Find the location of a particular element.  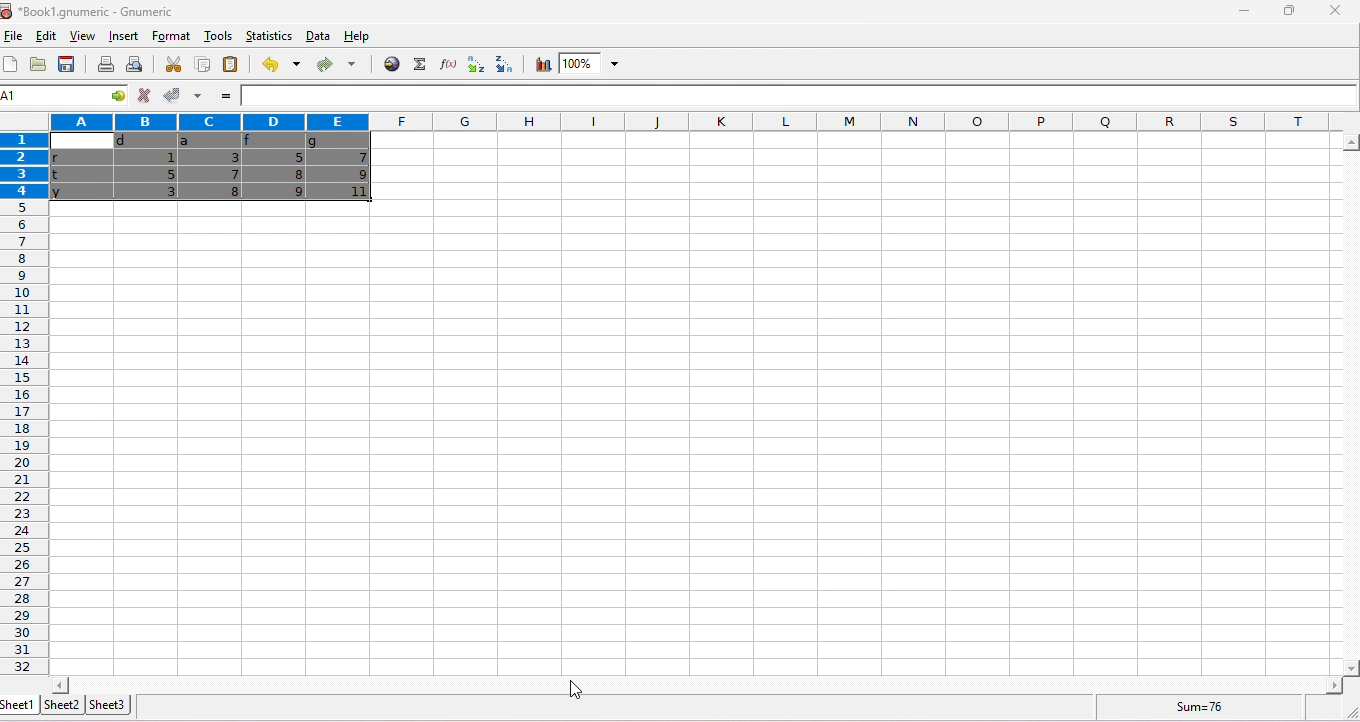

close is located at coordinates (1334, 11).